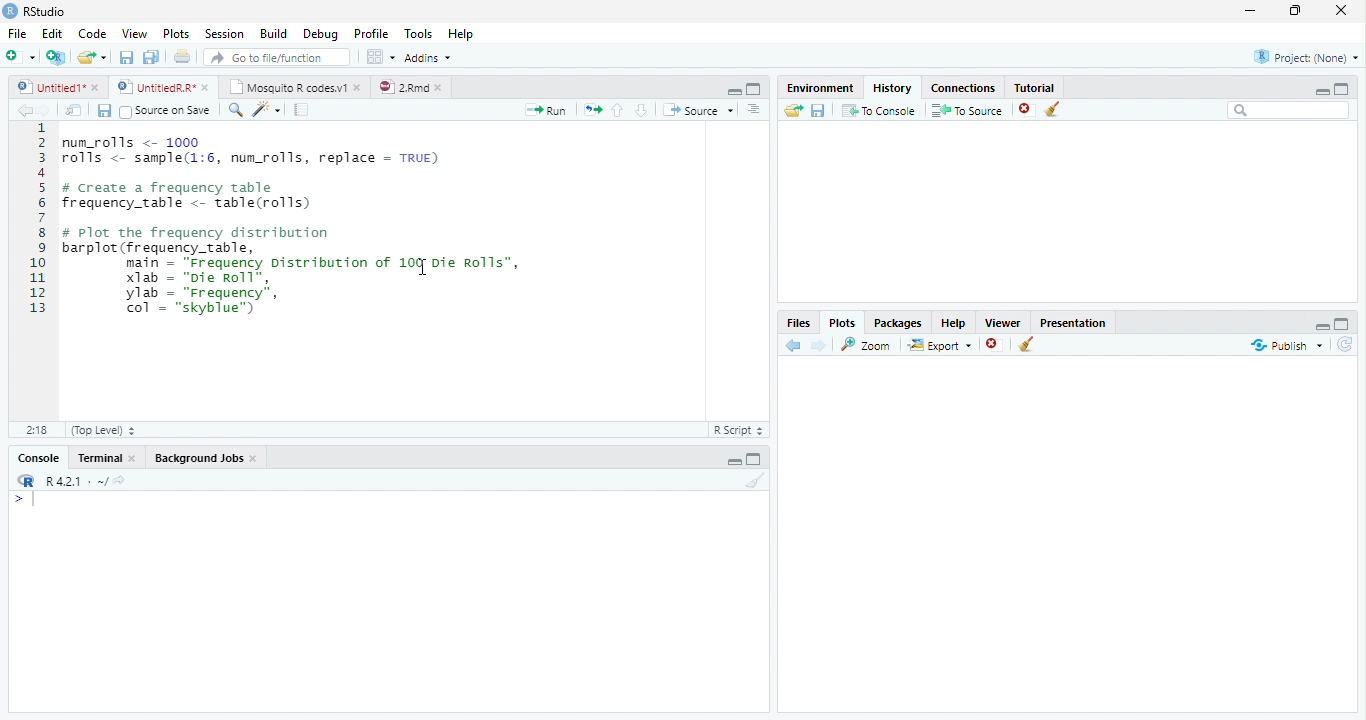 This screenshot has width=1366, height=720. What do you see at coordinates (275, 33) in the screenshot?
I see `Build` at bounding box center [275, 33].